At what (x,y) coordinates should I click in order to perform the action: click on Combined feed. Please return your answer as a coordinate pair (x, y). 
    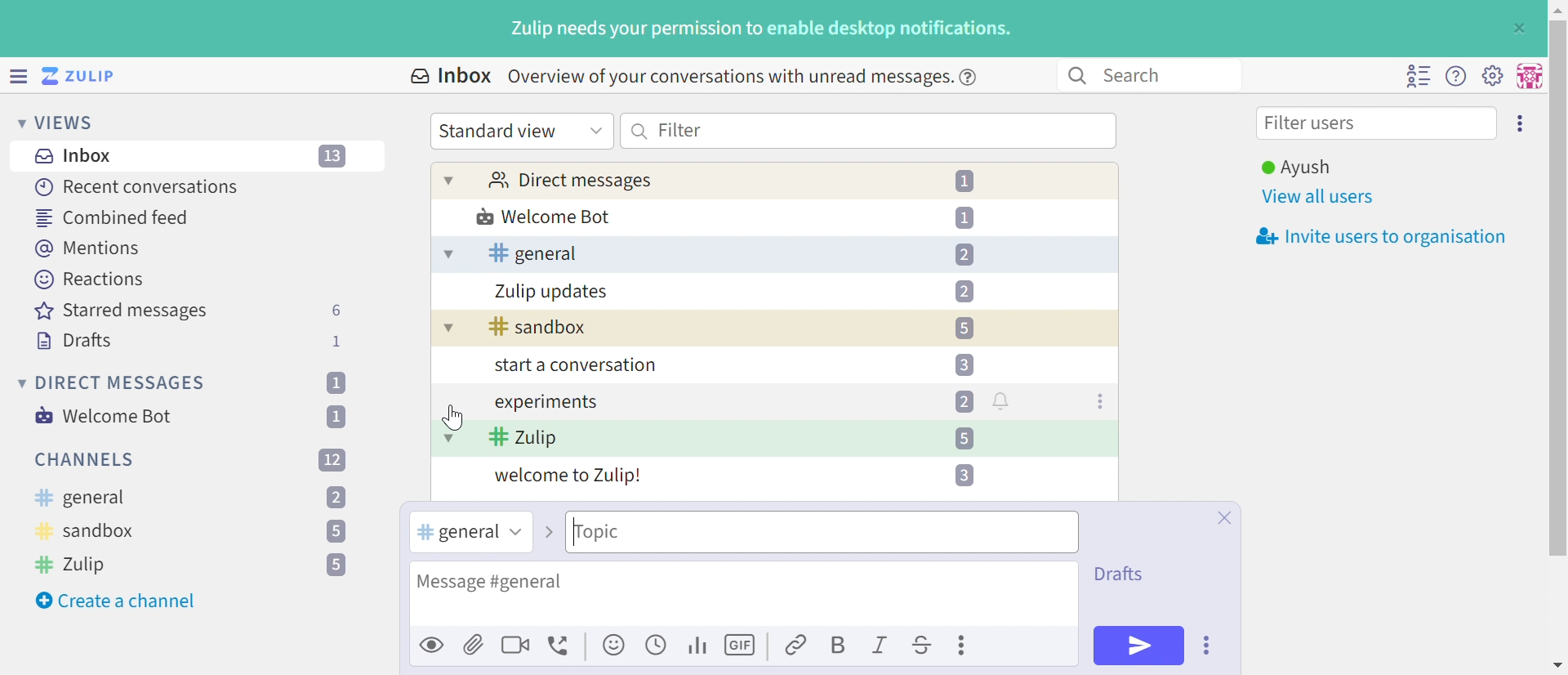
    Looking at the image, I should click on (114, 217).